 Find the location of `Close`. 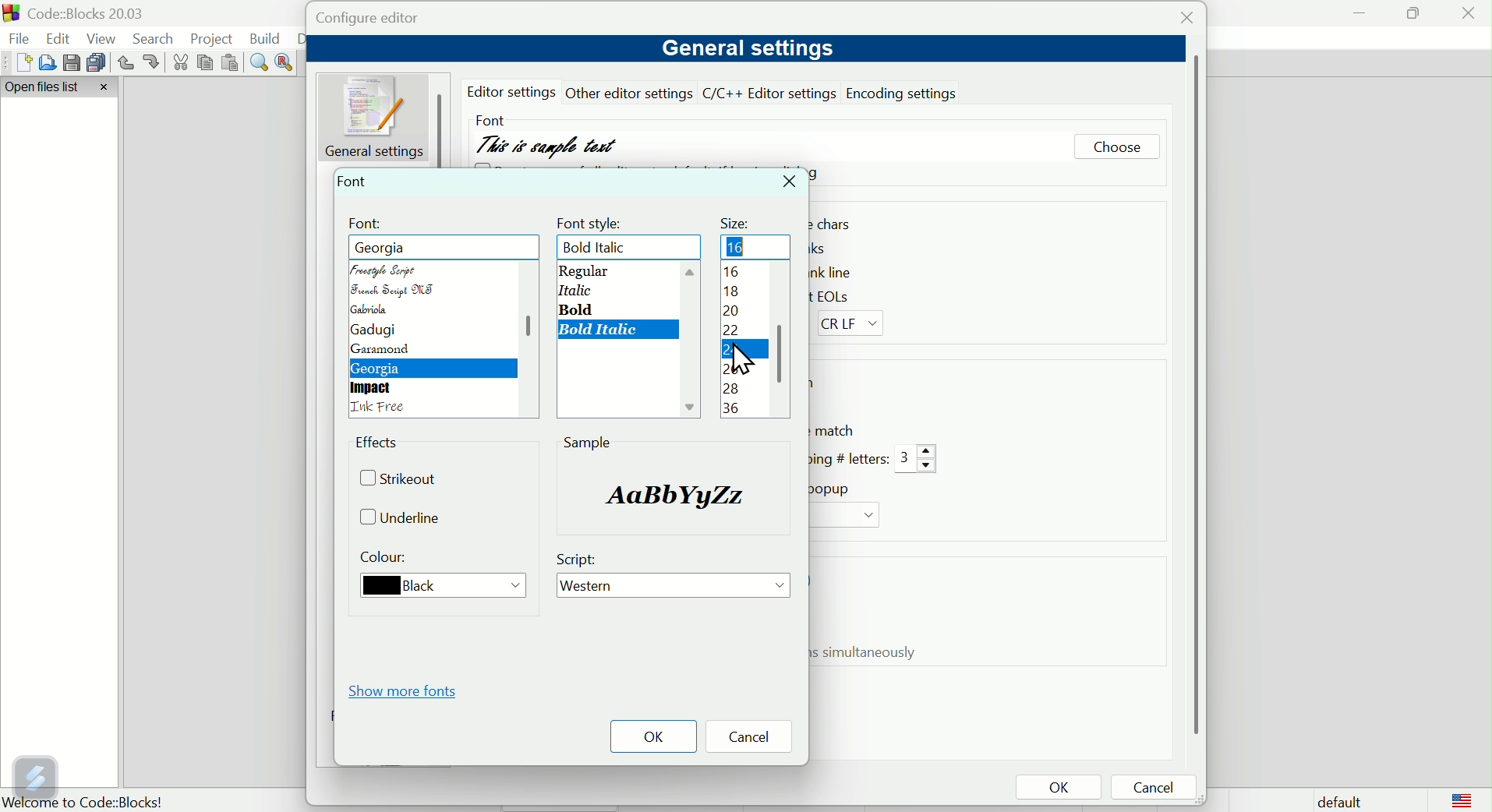

Close is located at coordinates (1469, 17).